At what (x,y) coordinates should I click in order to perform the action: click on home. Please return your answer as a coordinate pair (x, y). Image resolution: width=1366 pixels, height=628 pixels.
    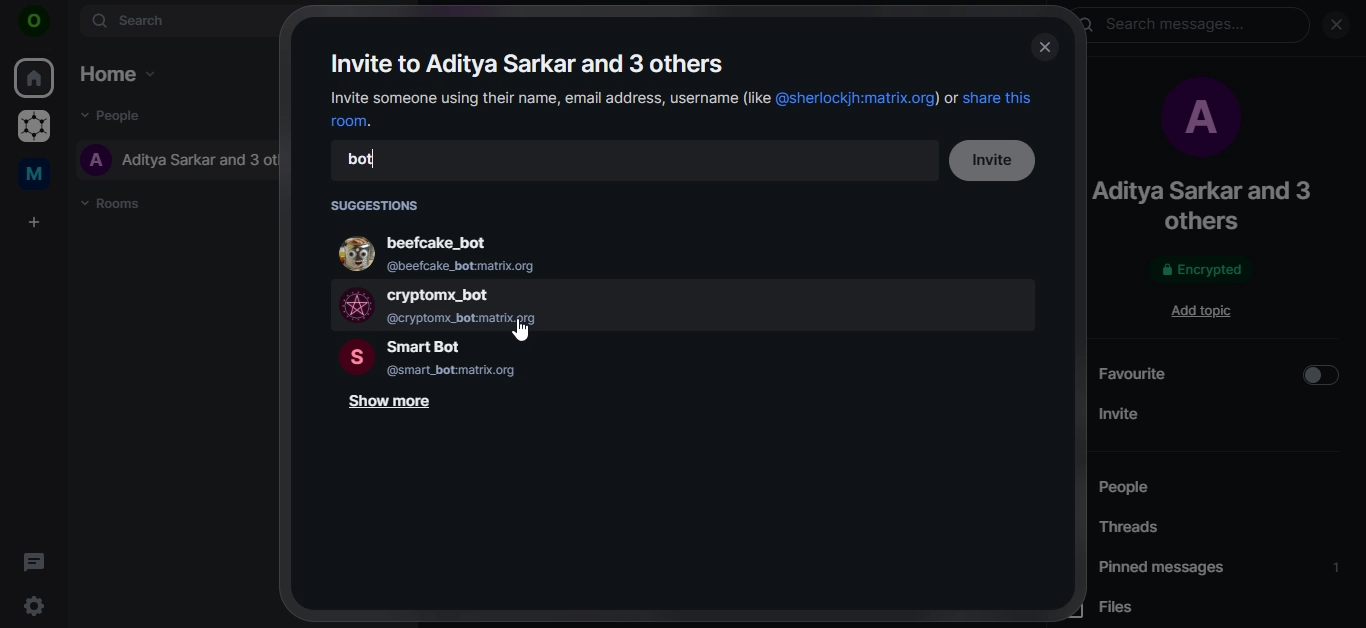
    Looking at the image, I should click on (35, 76).